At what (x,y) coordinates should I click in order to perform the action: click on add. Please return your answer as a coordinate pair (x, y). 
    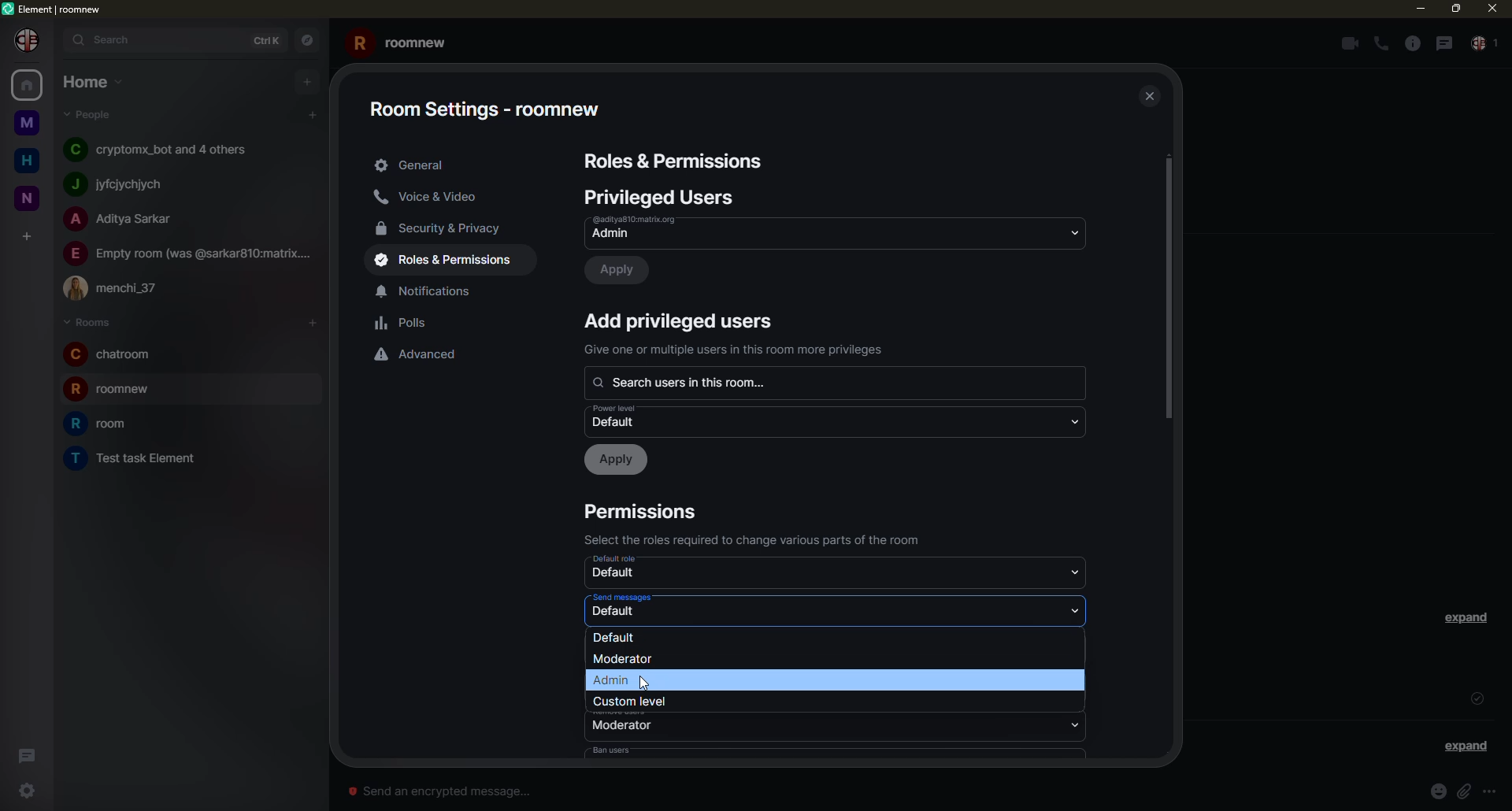
    Looking at the image, I should click on (306, 82).